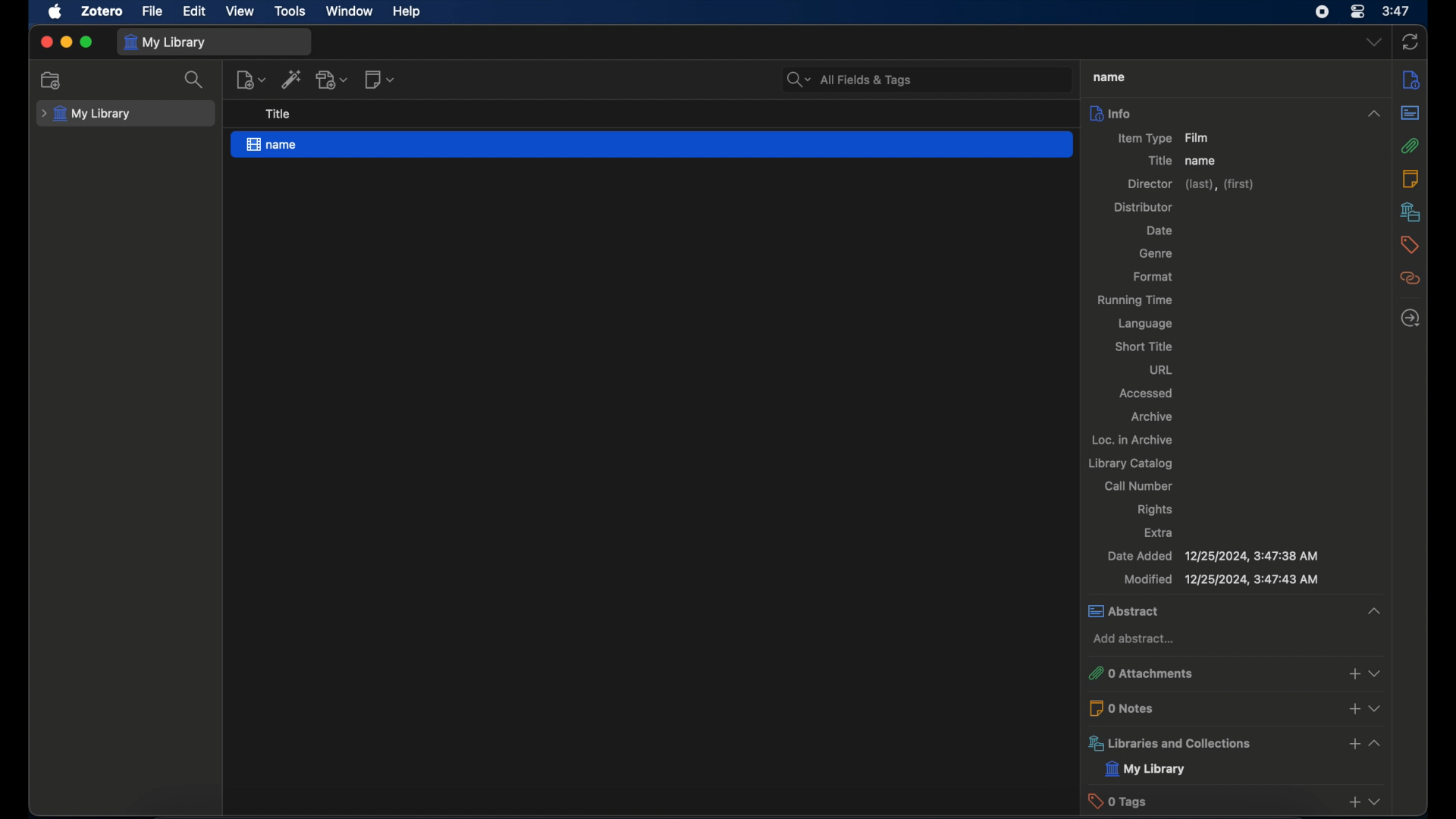 The width and height of the screenshot is (1456, 819). I want to click on new collection, so click(51, 80).